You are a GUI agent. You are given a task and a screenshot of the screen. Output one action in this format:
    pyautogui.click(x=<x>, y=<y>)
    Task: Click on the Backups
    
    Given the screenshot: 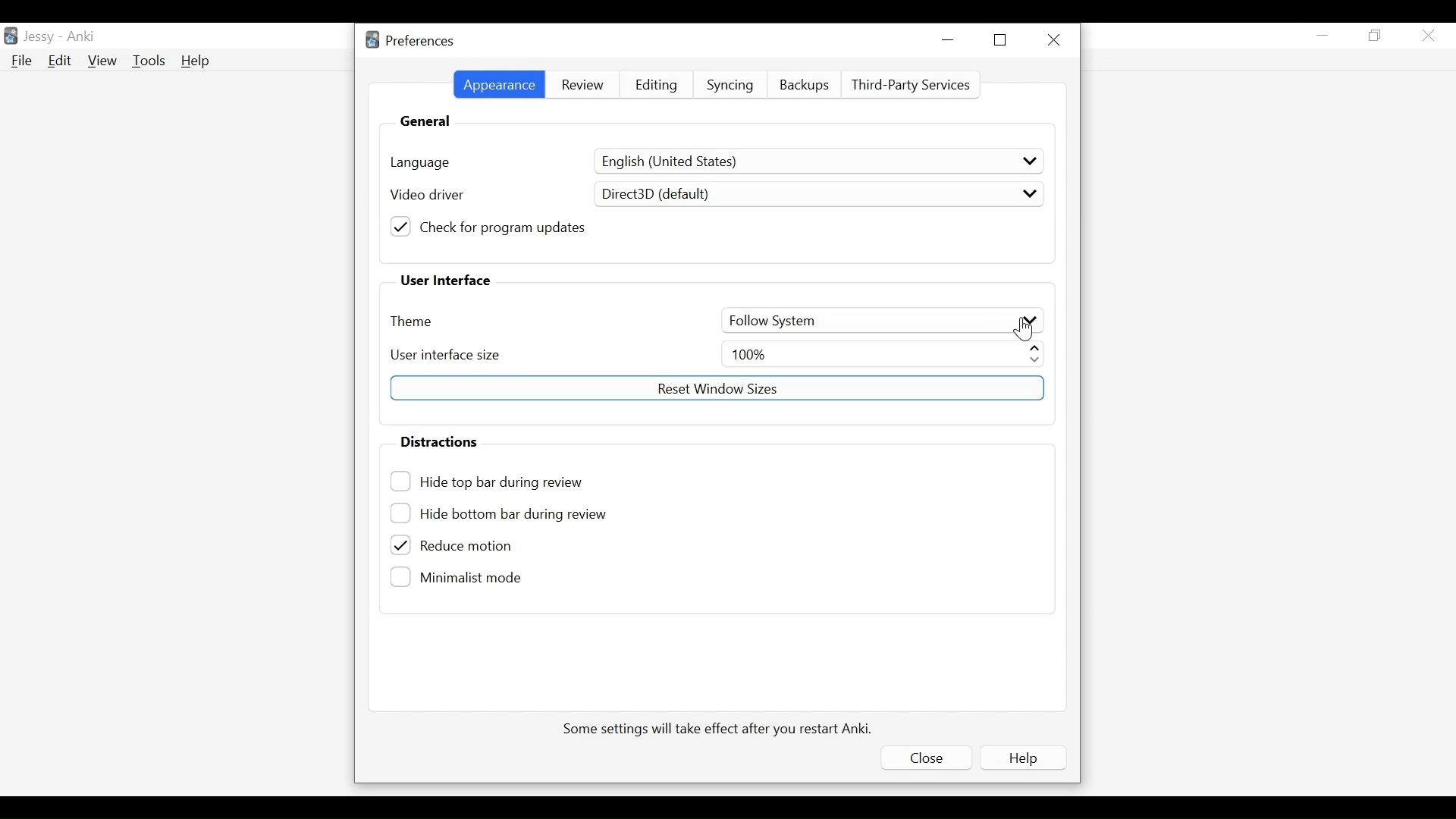 What is the action you would take?
    pyautogui.click(x=806, y=86)
    